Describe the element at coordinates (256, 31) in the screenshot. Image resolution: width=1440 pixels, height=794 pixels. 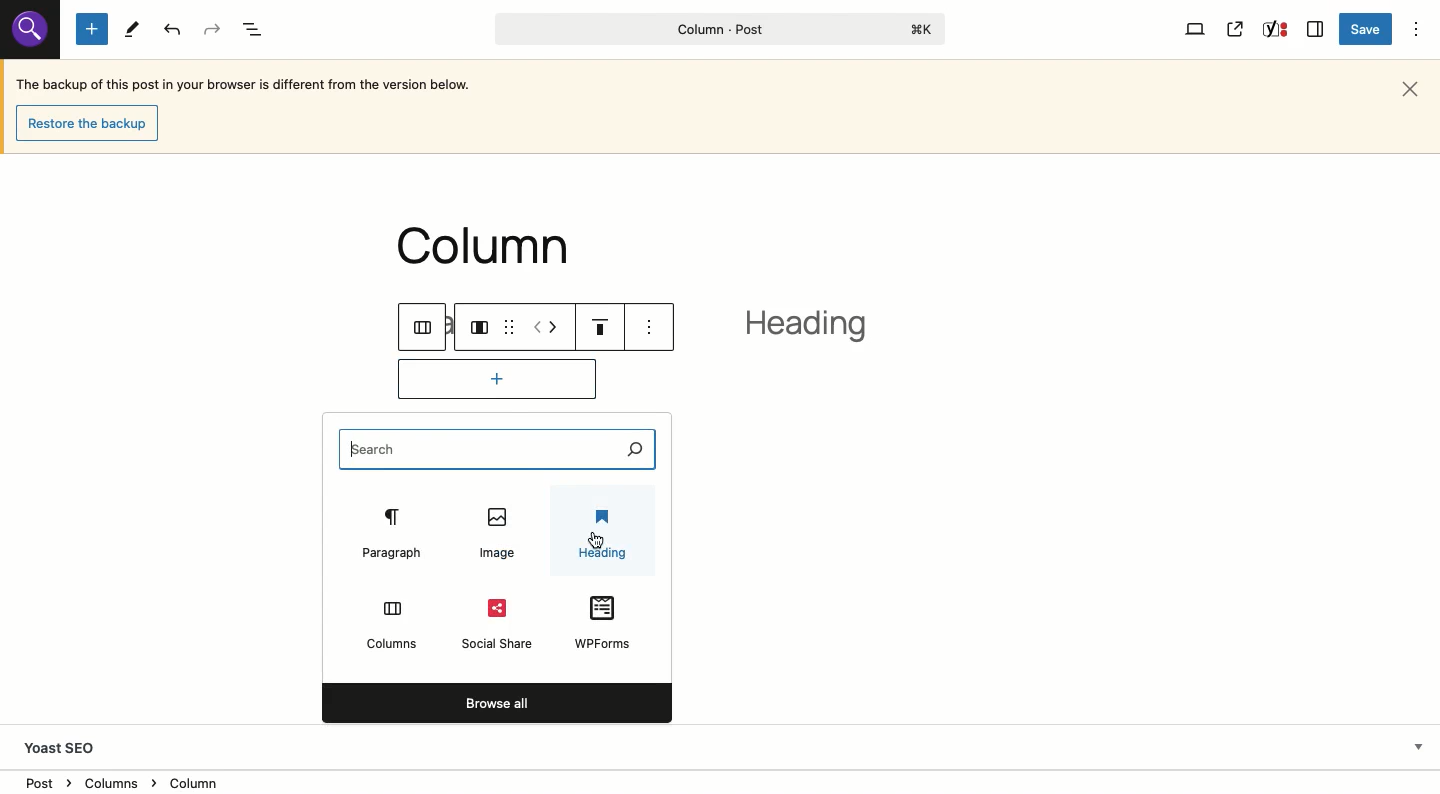
I see `Document overview` at that location.